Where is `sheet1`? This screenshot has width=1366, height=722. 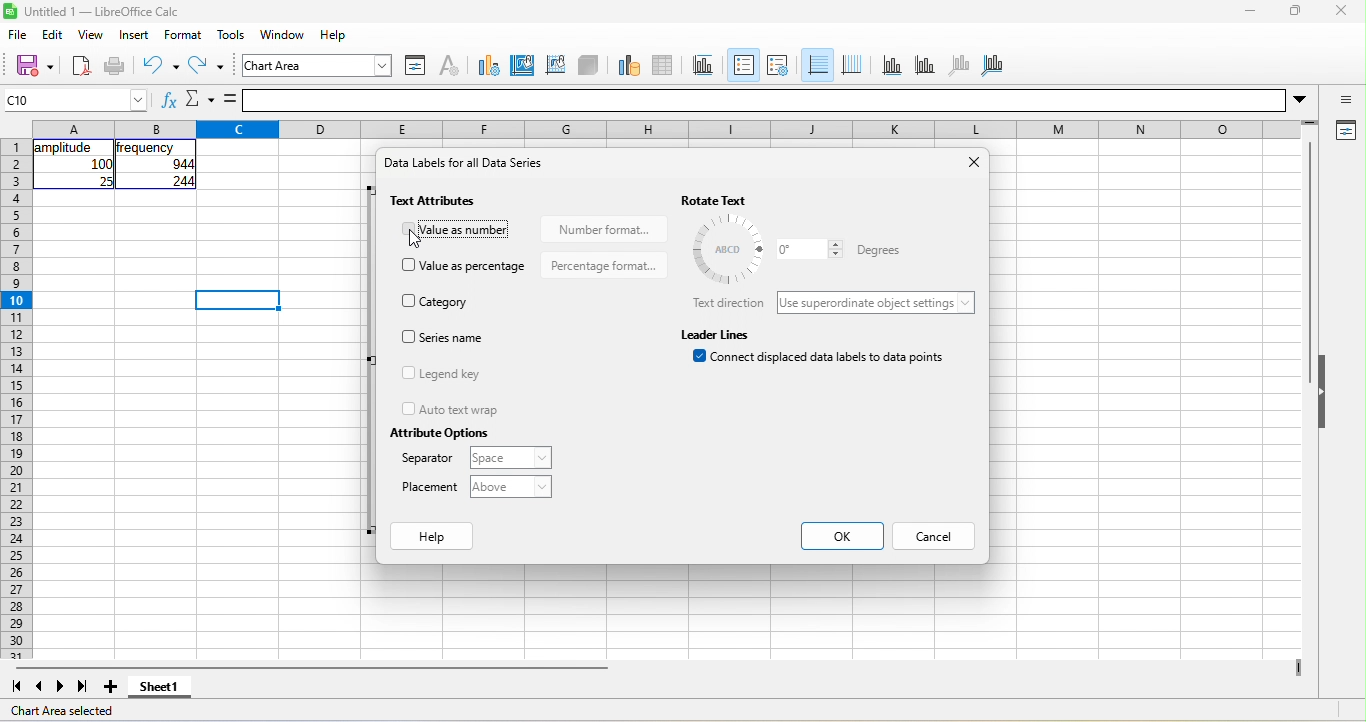 sheet1 is located at coordinates (164, 690).